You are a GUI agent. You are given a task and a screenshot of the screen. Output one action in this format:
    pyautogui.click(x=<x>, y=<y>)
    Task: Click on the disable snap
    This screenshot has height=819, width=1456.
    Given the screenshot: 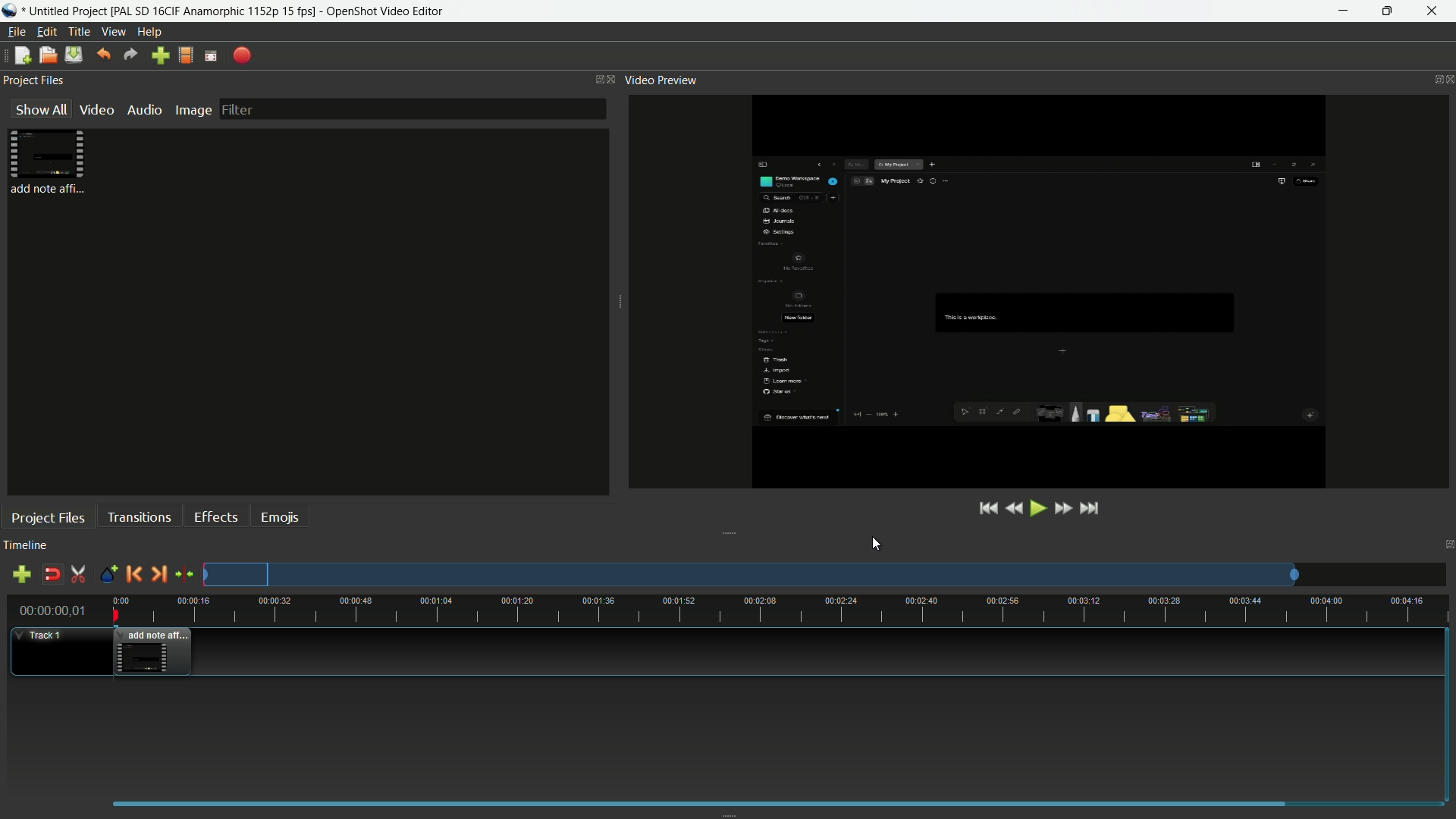 What is the action you would take?
    pyautogui.click(x=52, y=574)
    